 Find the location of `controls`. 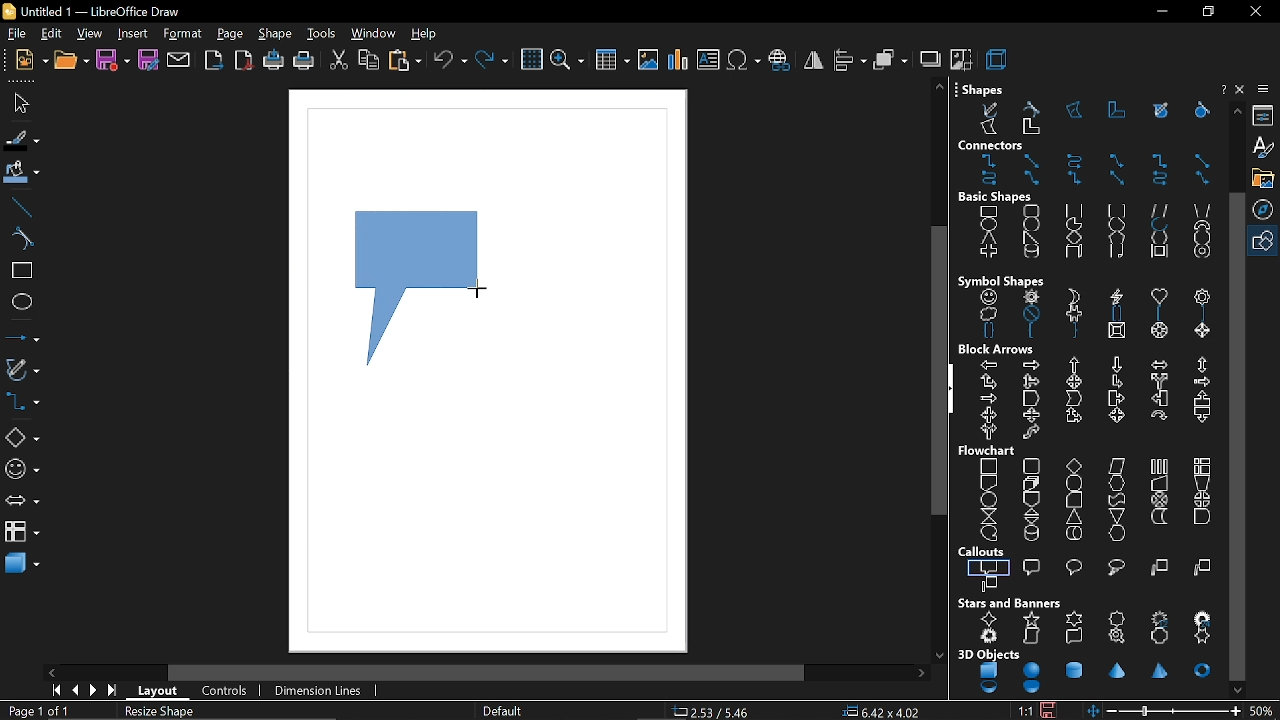

controls is located at coordinates (223, 692).